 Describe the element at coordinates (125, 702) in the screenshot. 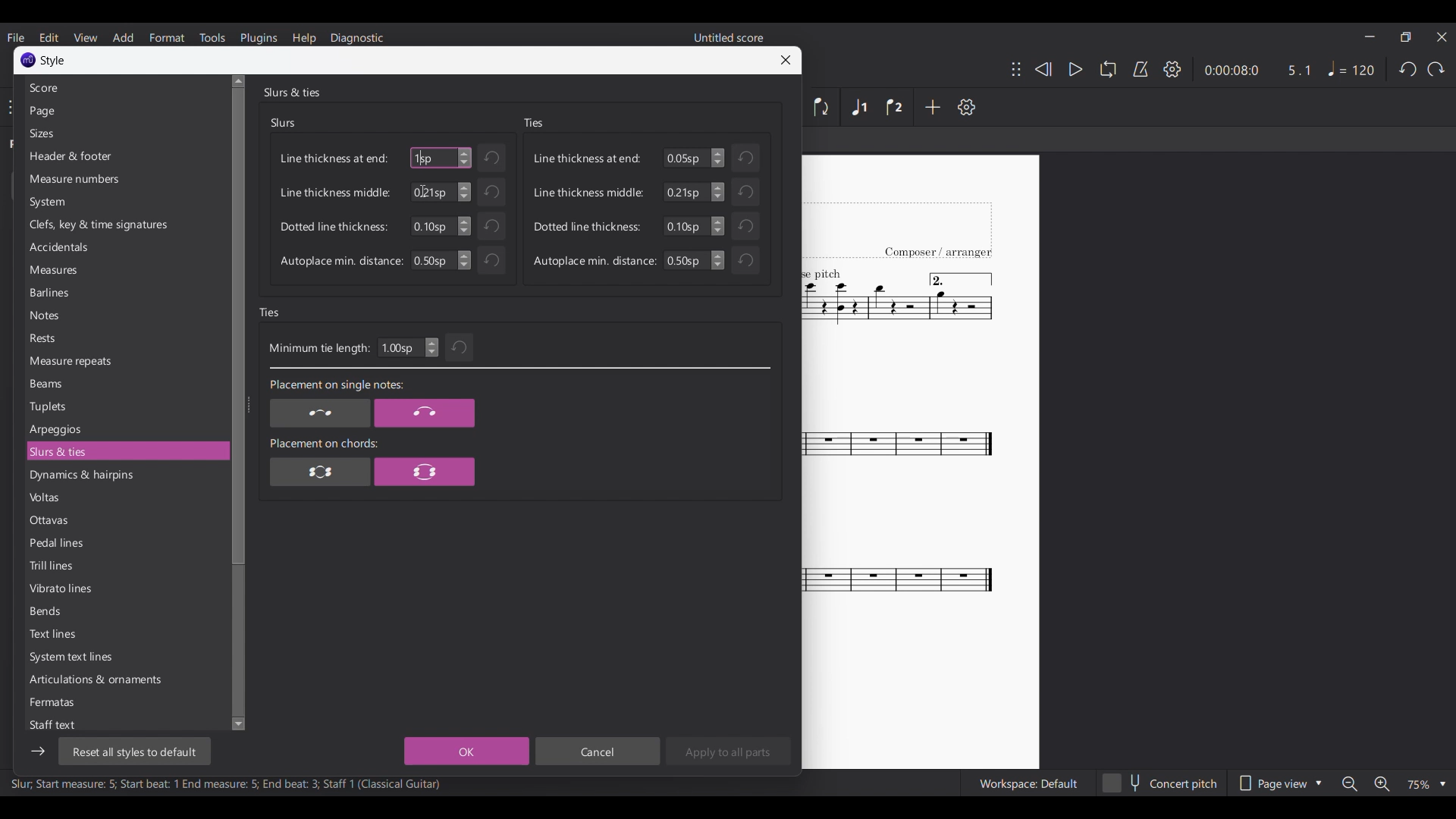

I see `Fermatas` at that location.